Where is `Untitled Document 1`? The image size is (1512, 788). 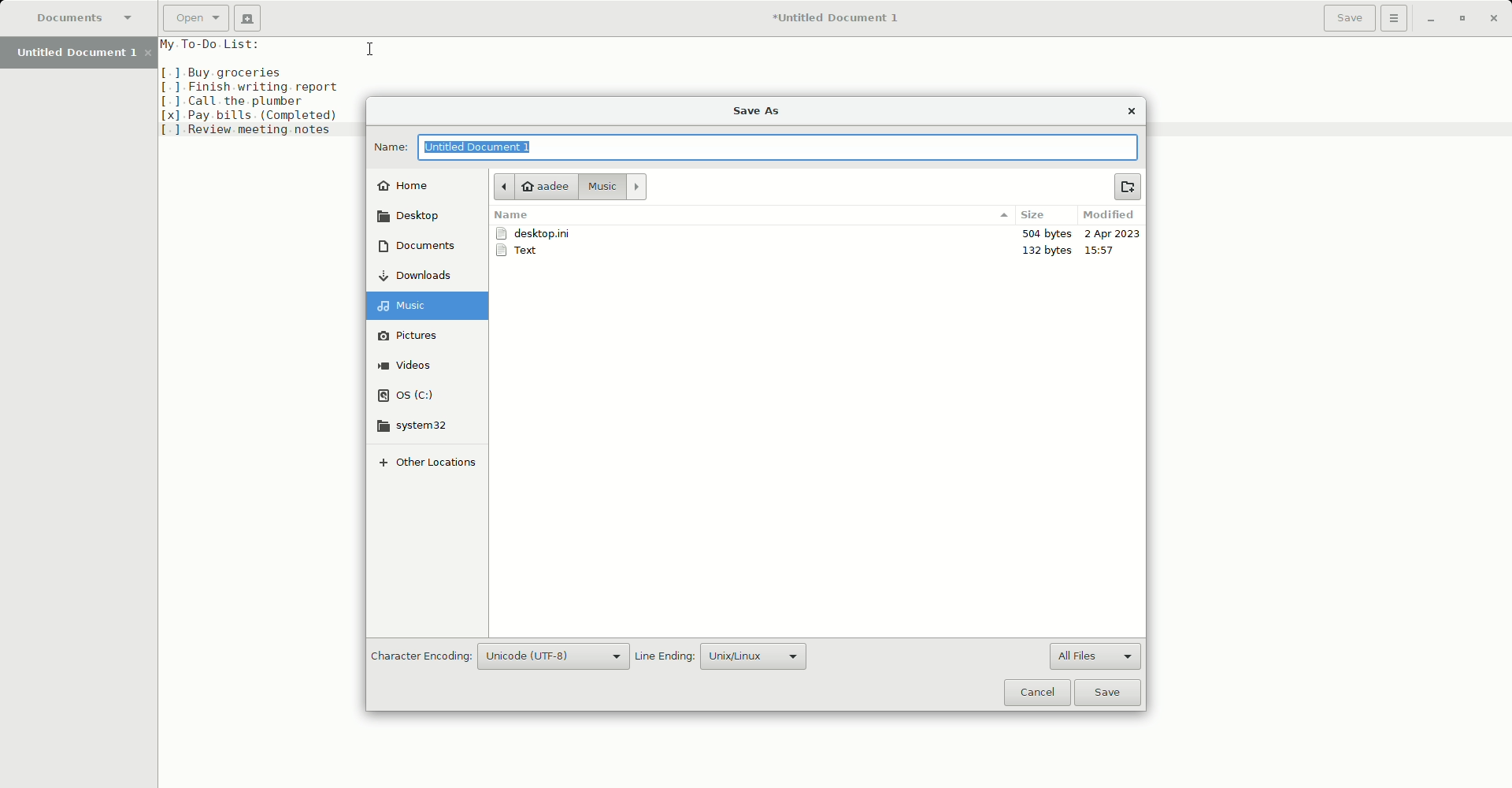 Untitled Document 1 is located at coordinates (497, 147).